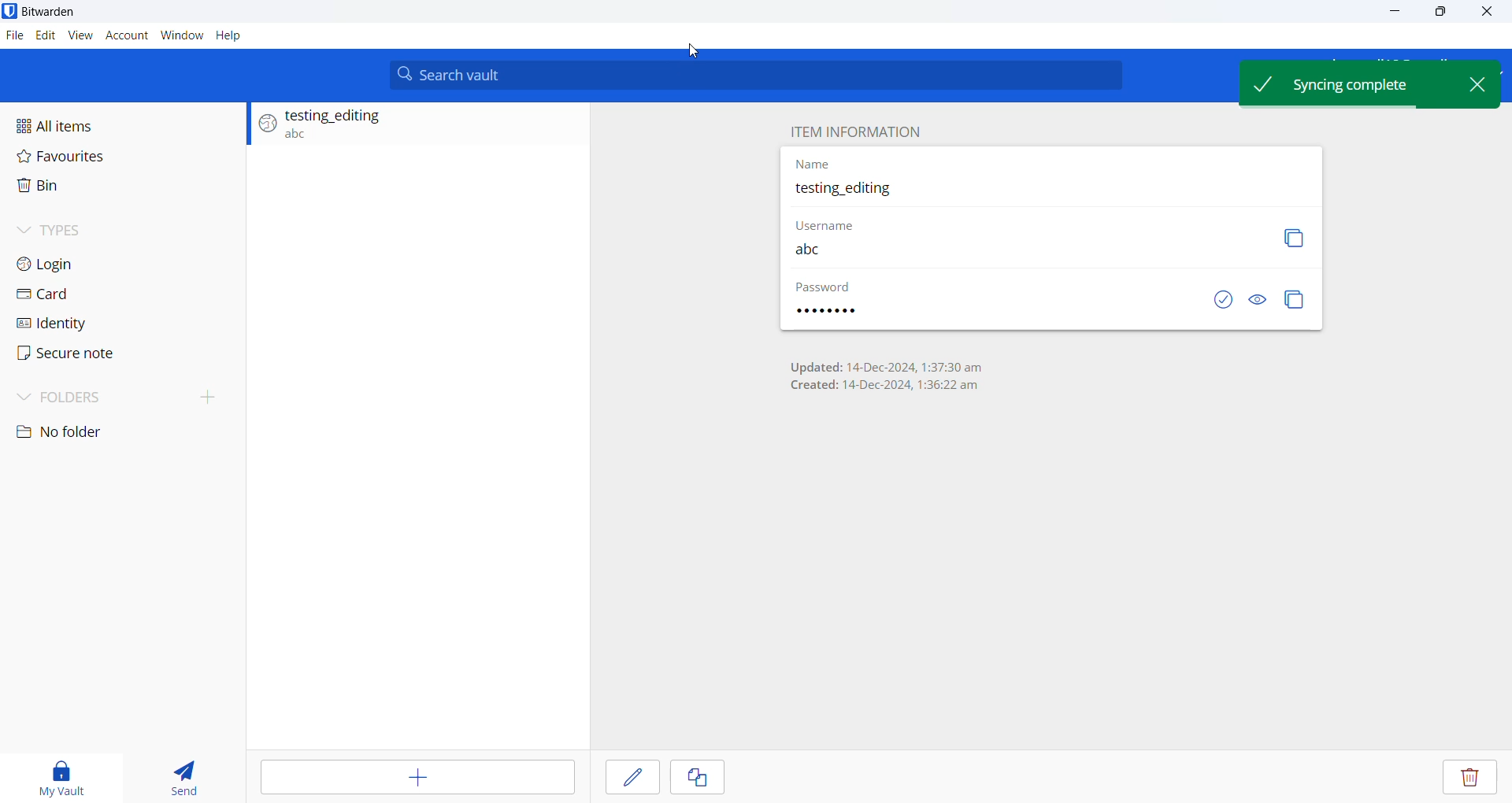 The image size is (1512, 803). Describe the element at coordinates (121, 155) in the screenshot. I see `Favourites` at that location.